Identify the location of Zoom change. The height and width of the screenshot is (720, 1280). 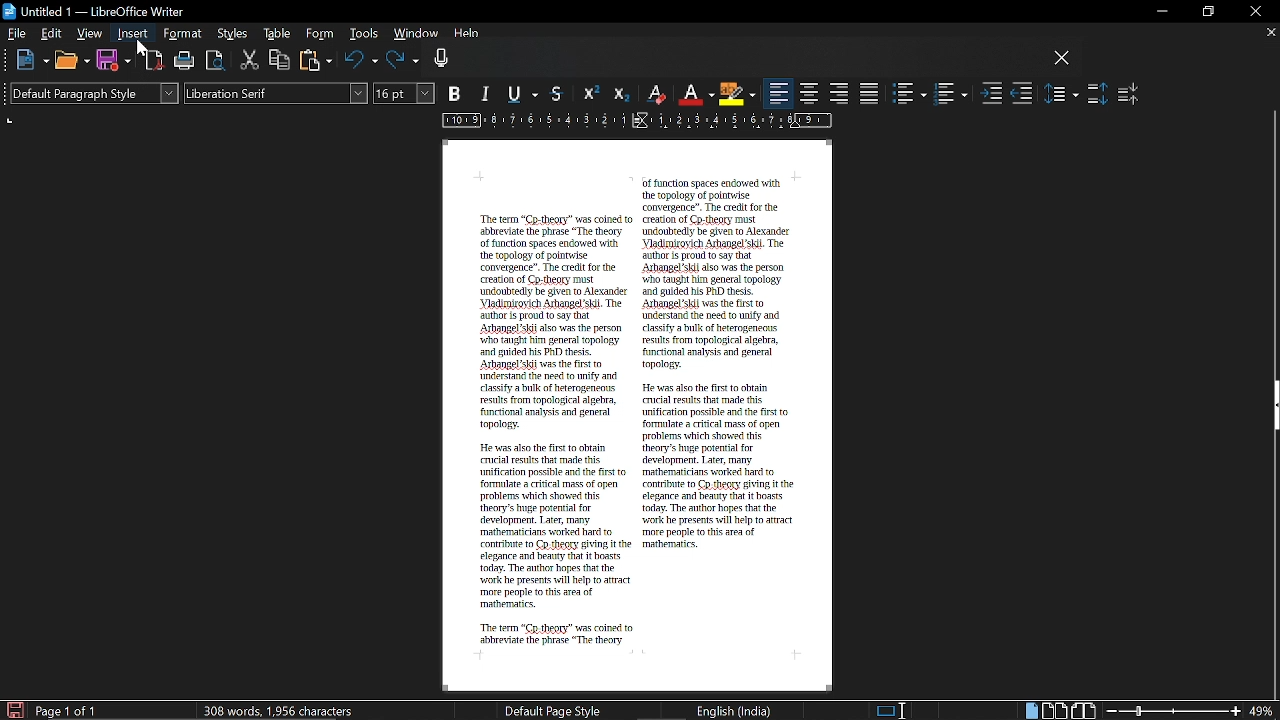
(1174, 711).